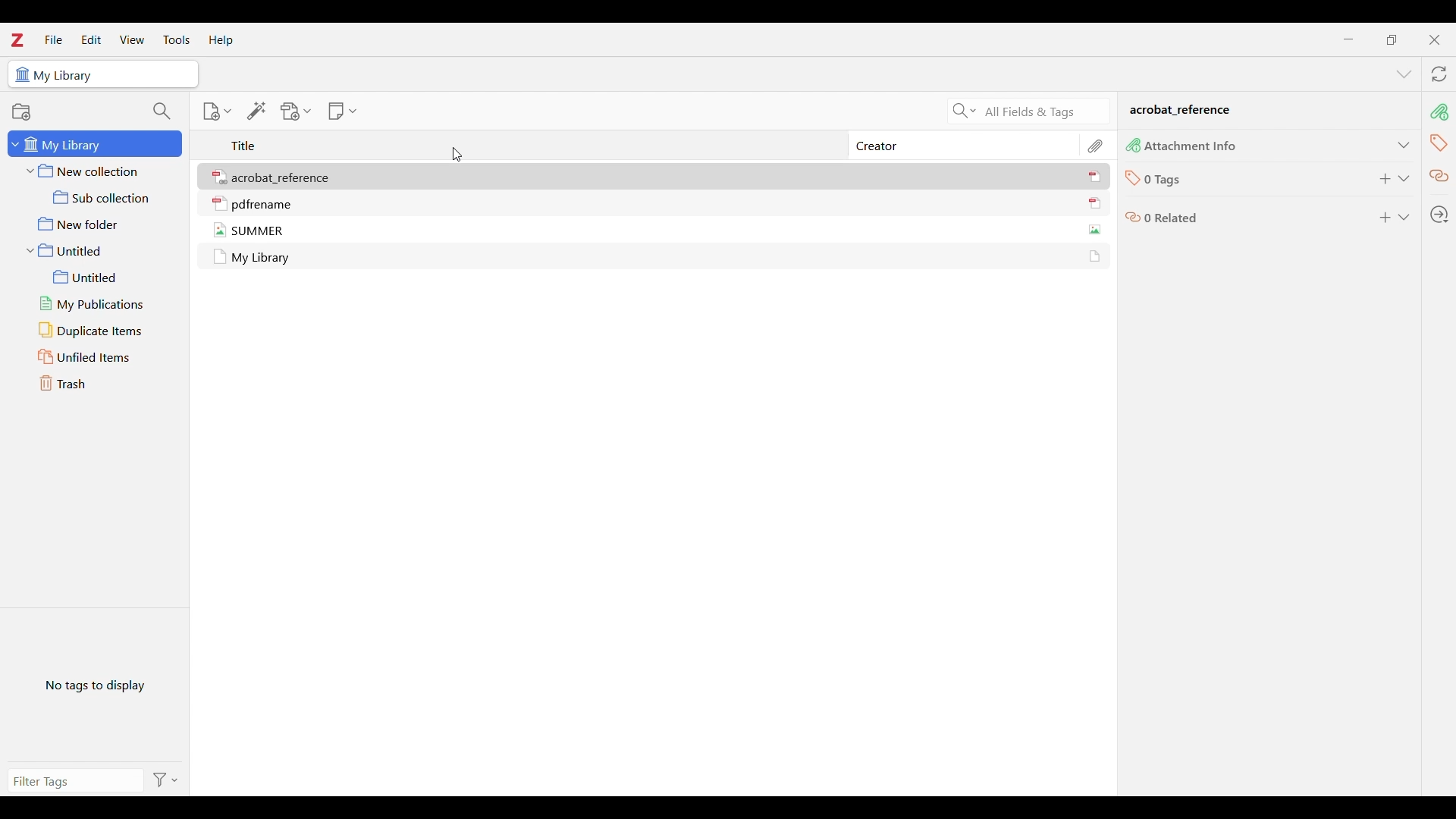  What do you see at coordinates (162, 111) in the screenshot?
I see `Filter collections` at bounding box center [162, 111].